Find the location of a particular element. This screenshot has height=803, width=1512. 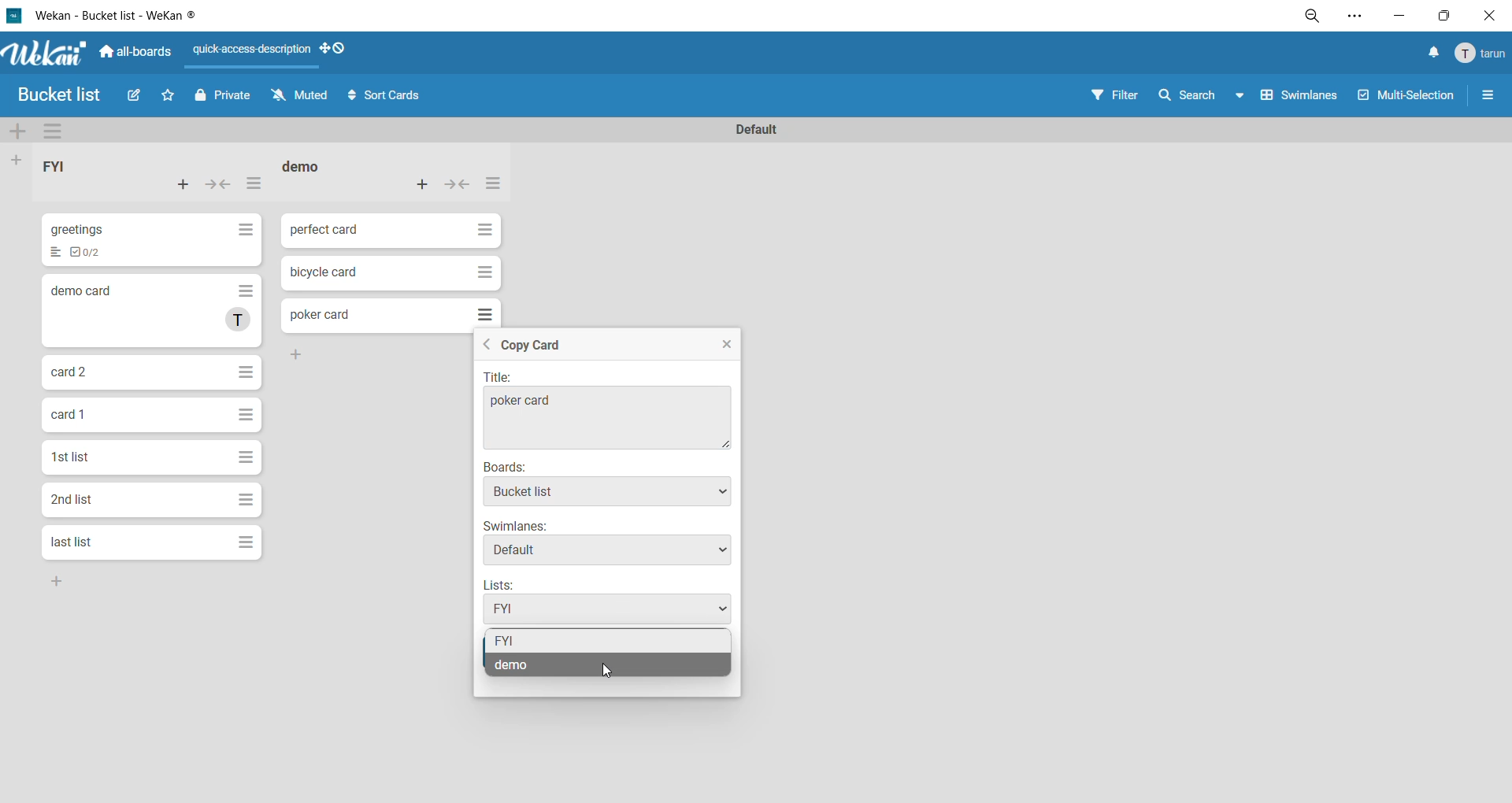

star is located at coordinates (172, 98).